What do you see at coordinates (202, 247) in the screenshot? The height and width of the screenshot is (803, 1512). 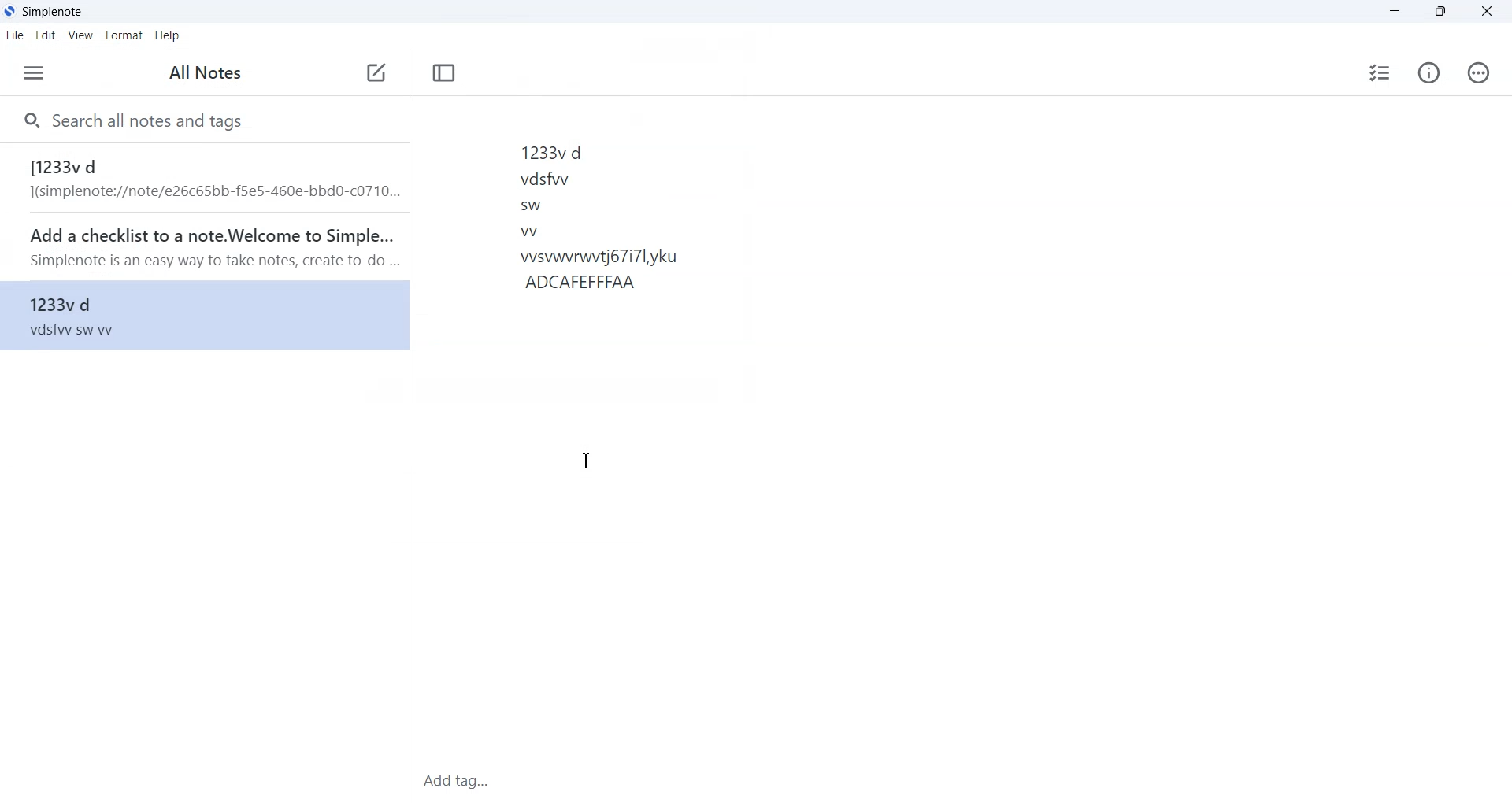 I see ` Add a checklist to a note. Welcome to Simple` at bounding box center [202, 247].